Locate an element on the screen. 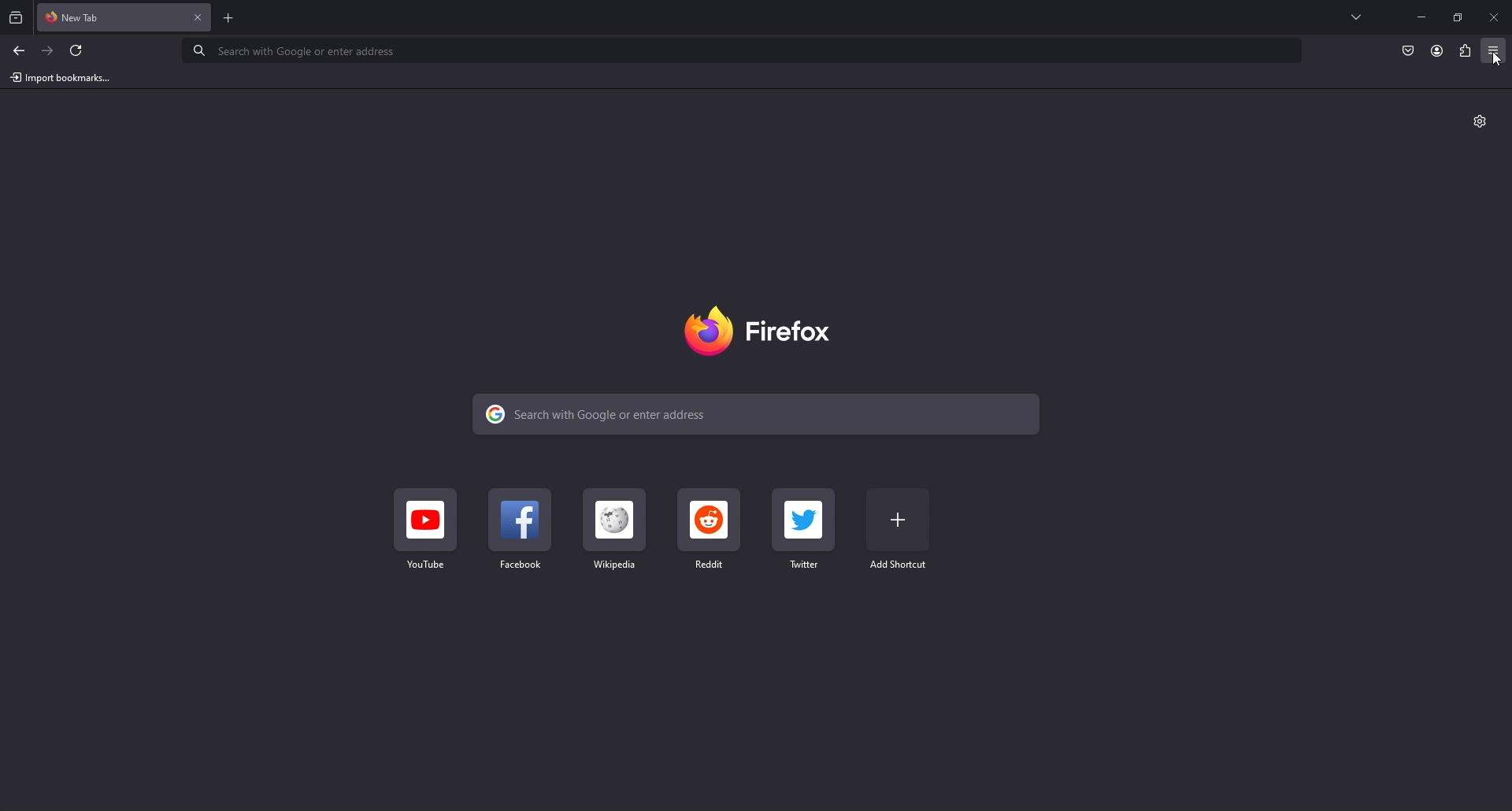 The height and width of the screenshot is (811, 1512). reddit is located at coordinates (710, 530).